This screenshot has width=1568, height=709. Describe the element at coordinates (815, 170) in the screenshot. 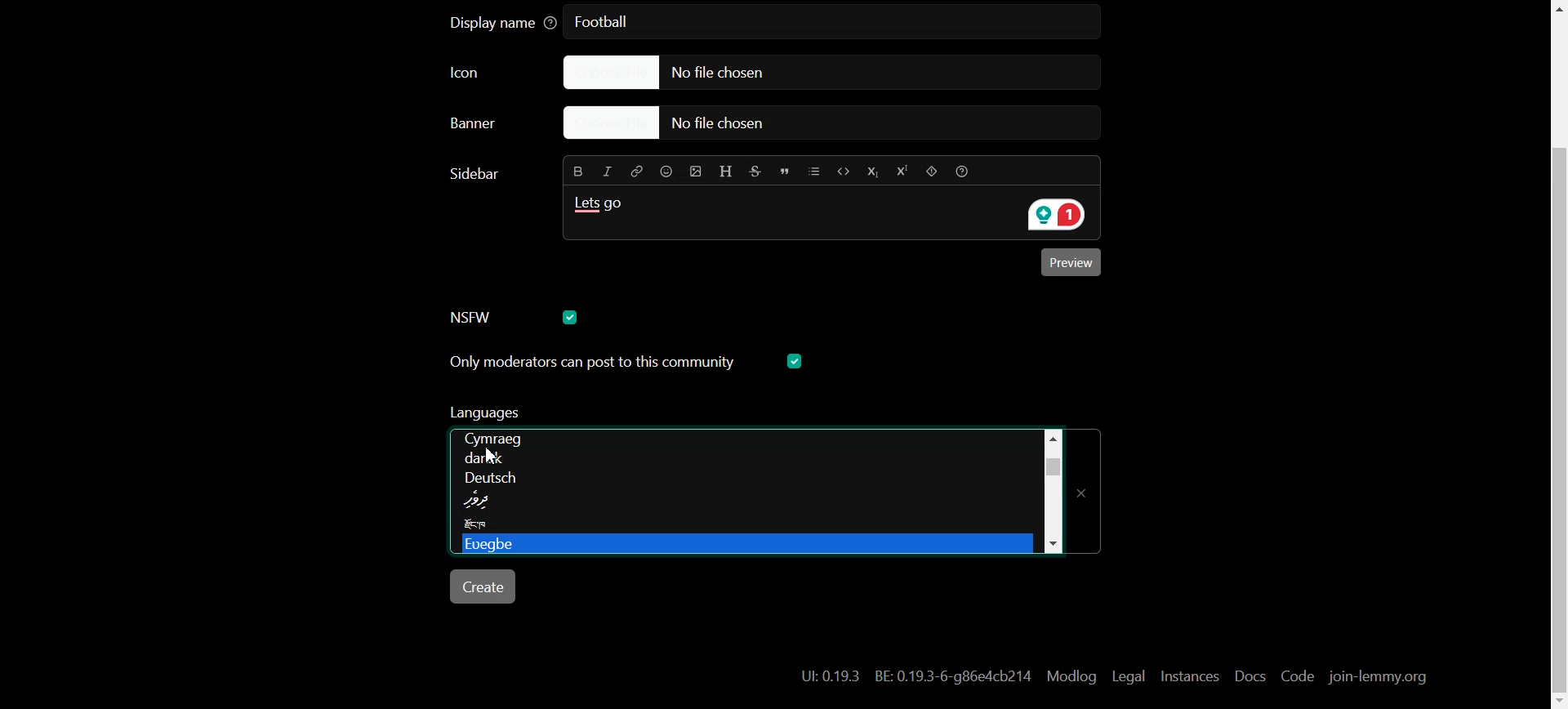

I see `List` at that location.